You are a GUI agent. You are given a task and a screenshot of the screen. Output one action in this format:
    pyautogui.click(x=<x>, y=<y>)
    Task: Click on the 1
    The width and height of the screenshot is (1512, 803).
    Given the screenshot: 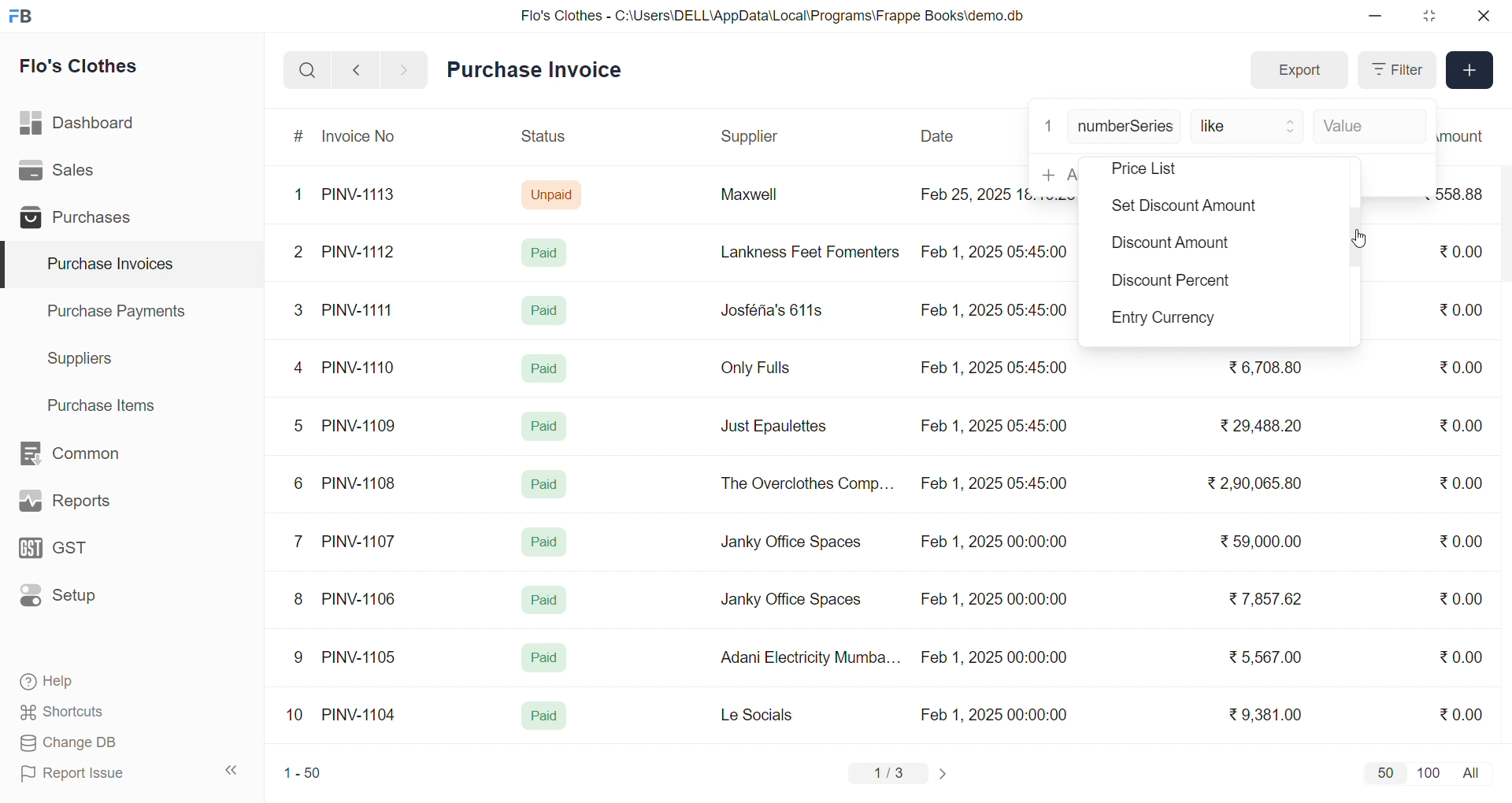 What is the action you would take?
    pyautogui.click(x=302, y=195)
    